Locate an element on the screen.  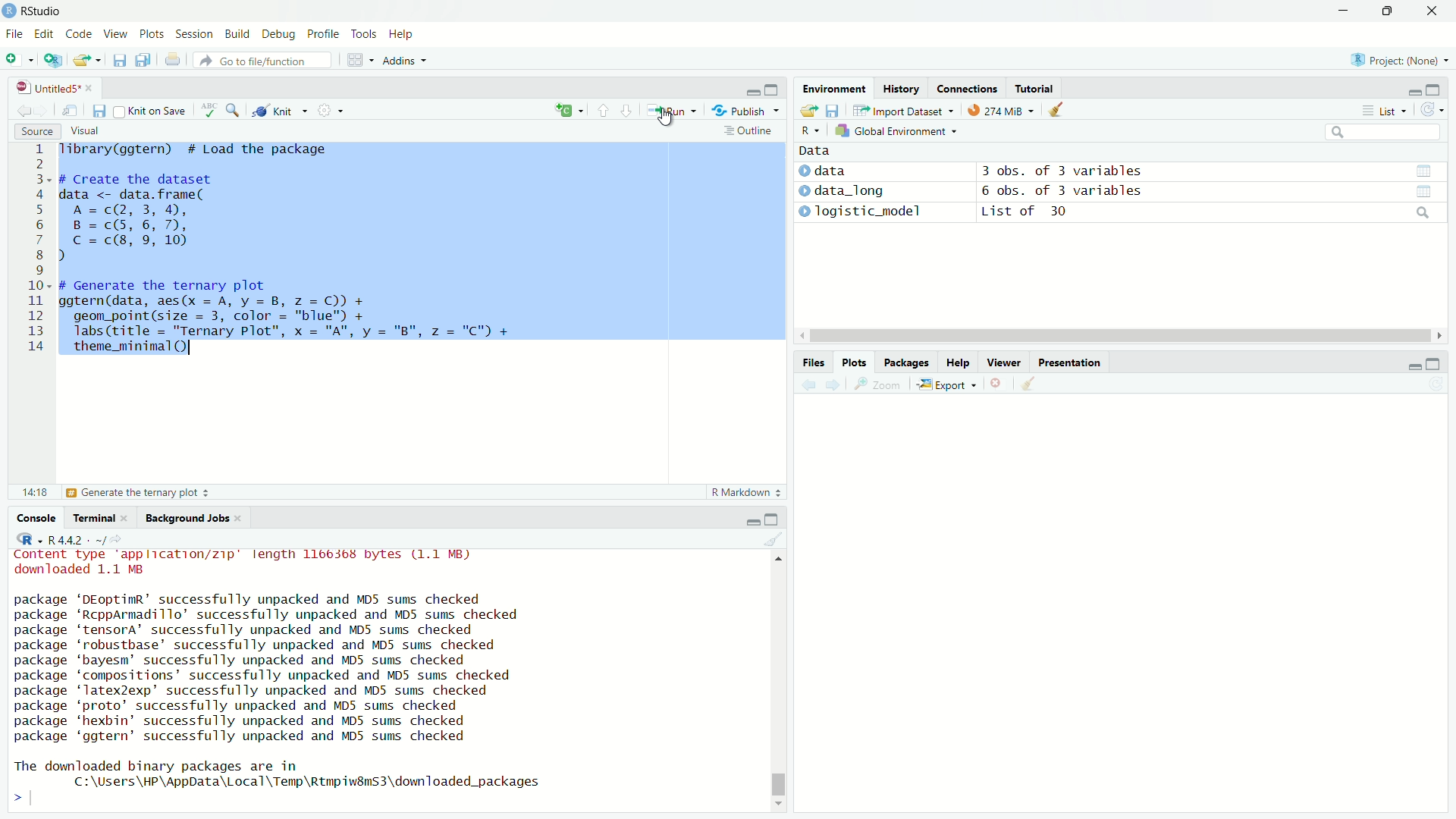
search is located at coordinates (236, 110).